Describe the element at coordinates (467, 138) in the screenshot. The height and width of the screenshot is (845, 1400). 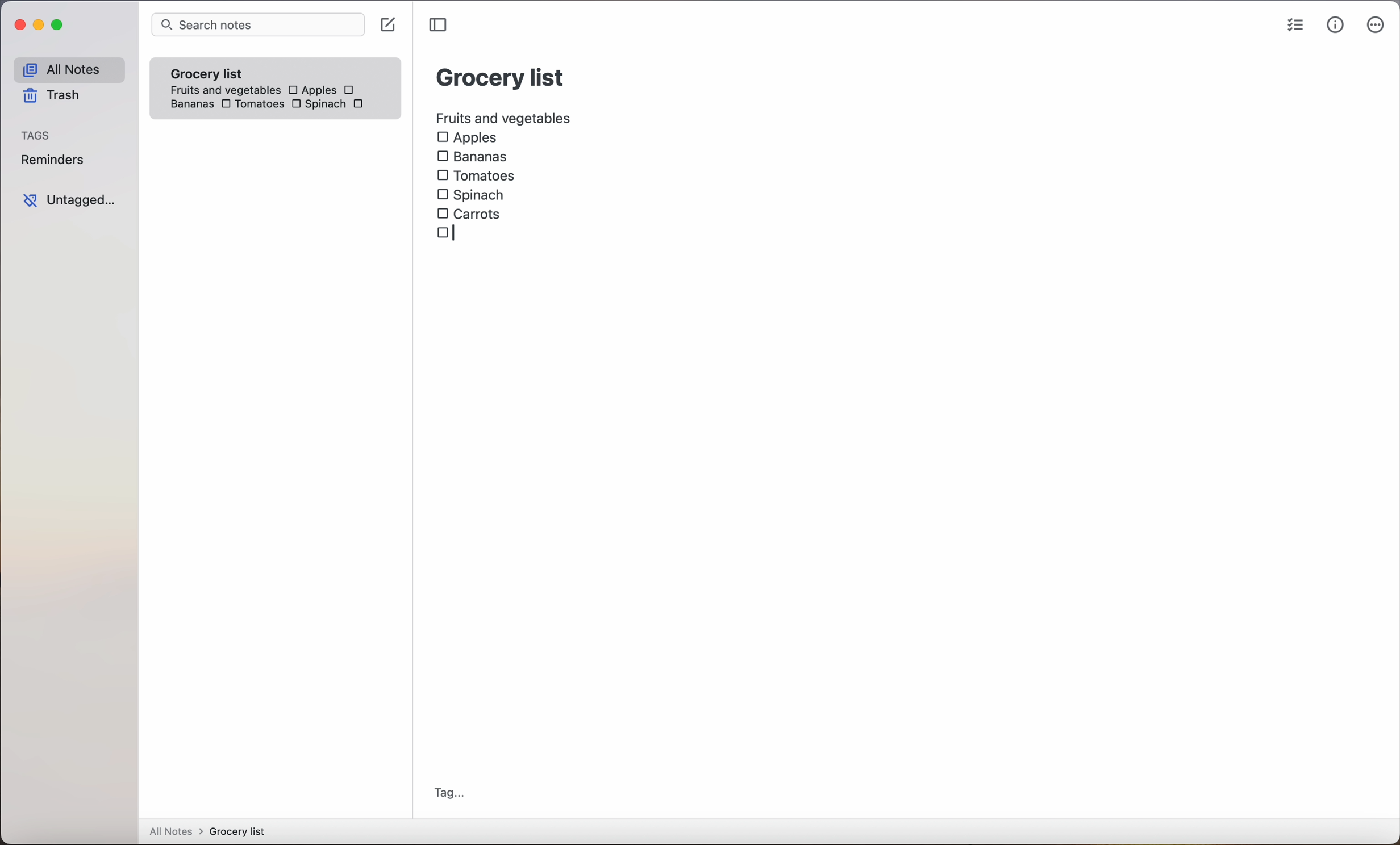
I see `Apples checkbox` at that location.